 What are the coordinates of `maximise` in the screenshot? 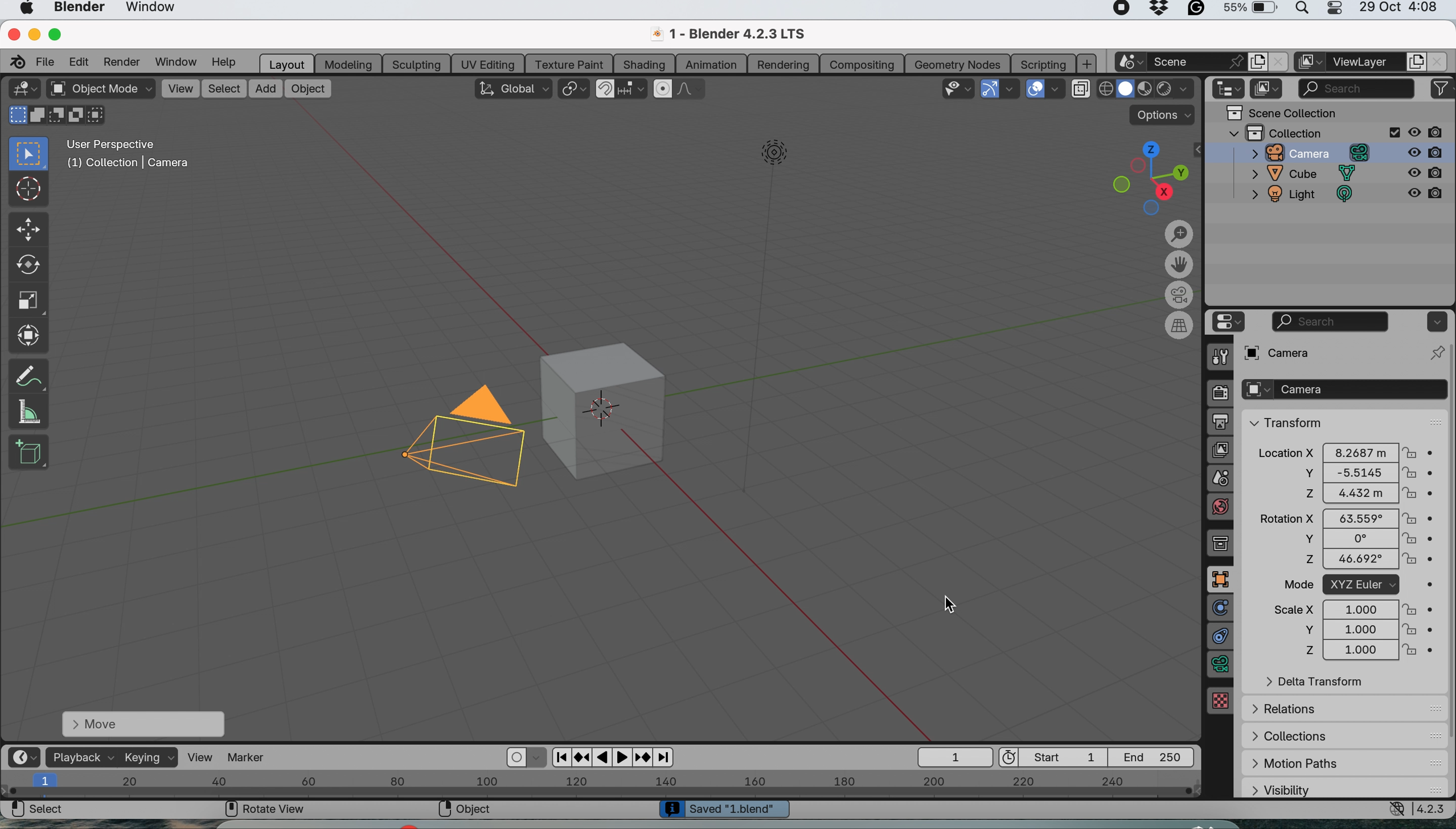 It's located at (56, 34).